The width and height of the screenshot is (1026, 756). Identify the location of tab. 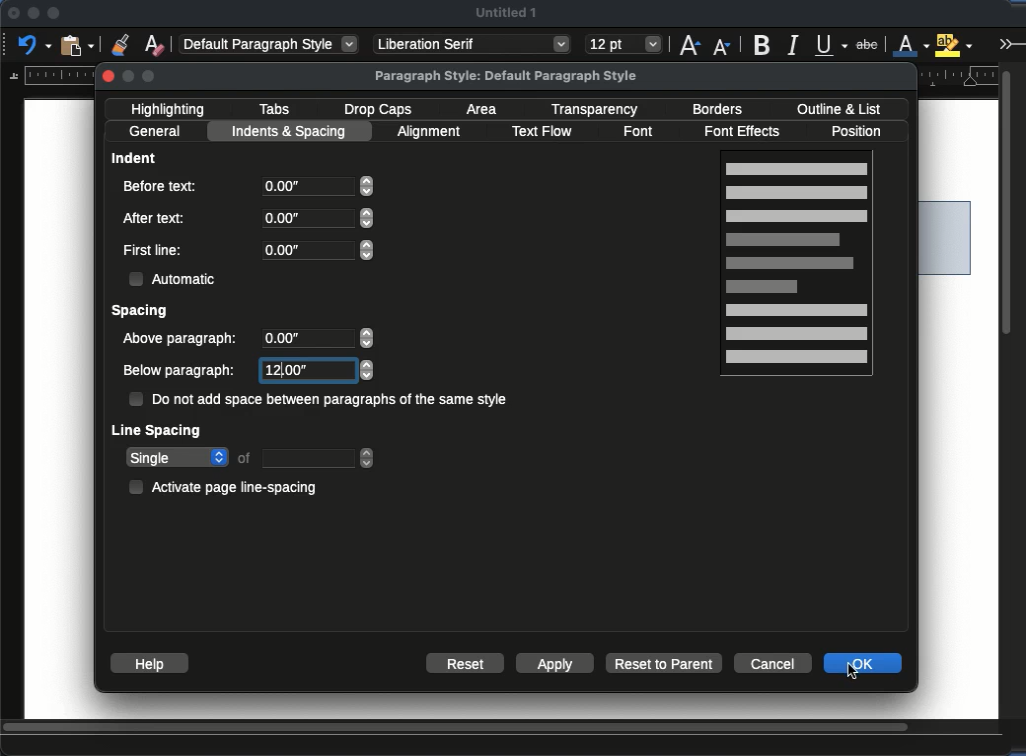
(320, 458).